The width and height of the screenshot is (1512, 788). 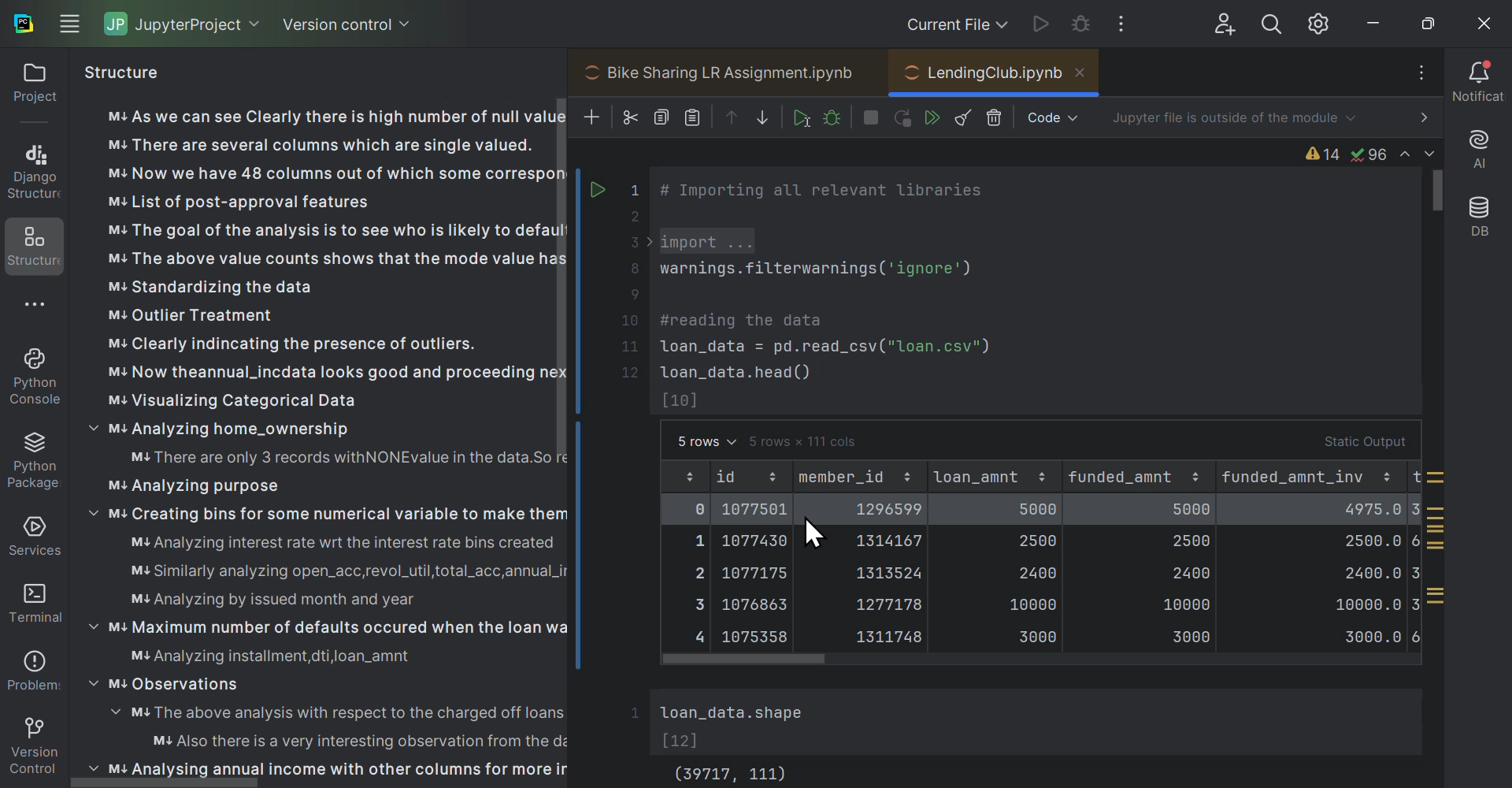 What do you see at coordinates (323, 414) in the screenshot?
I see `Structure of project` at bounding box center [323, 414].